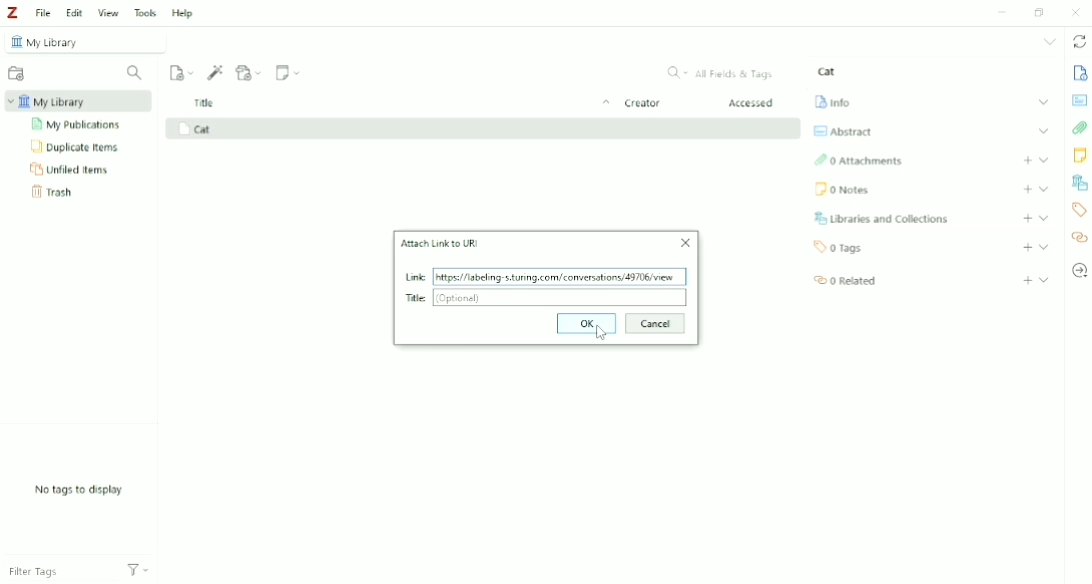  What do you see at coordinates (1051, 41) in the screenshot?
I see `List all tabs` at bounding box center [1051, 41].